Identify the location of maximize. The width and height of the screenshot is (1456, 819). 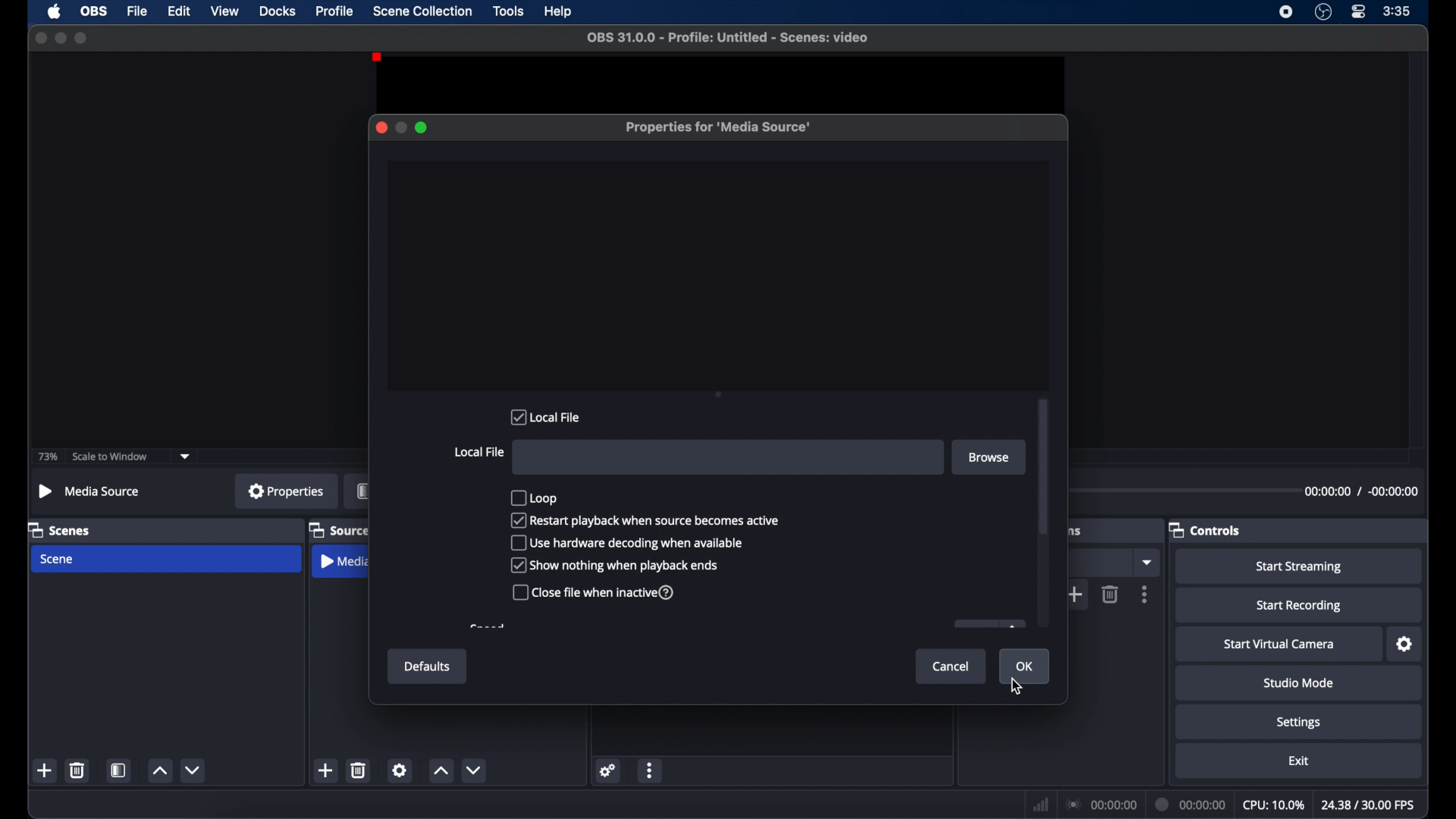
(82, 39).